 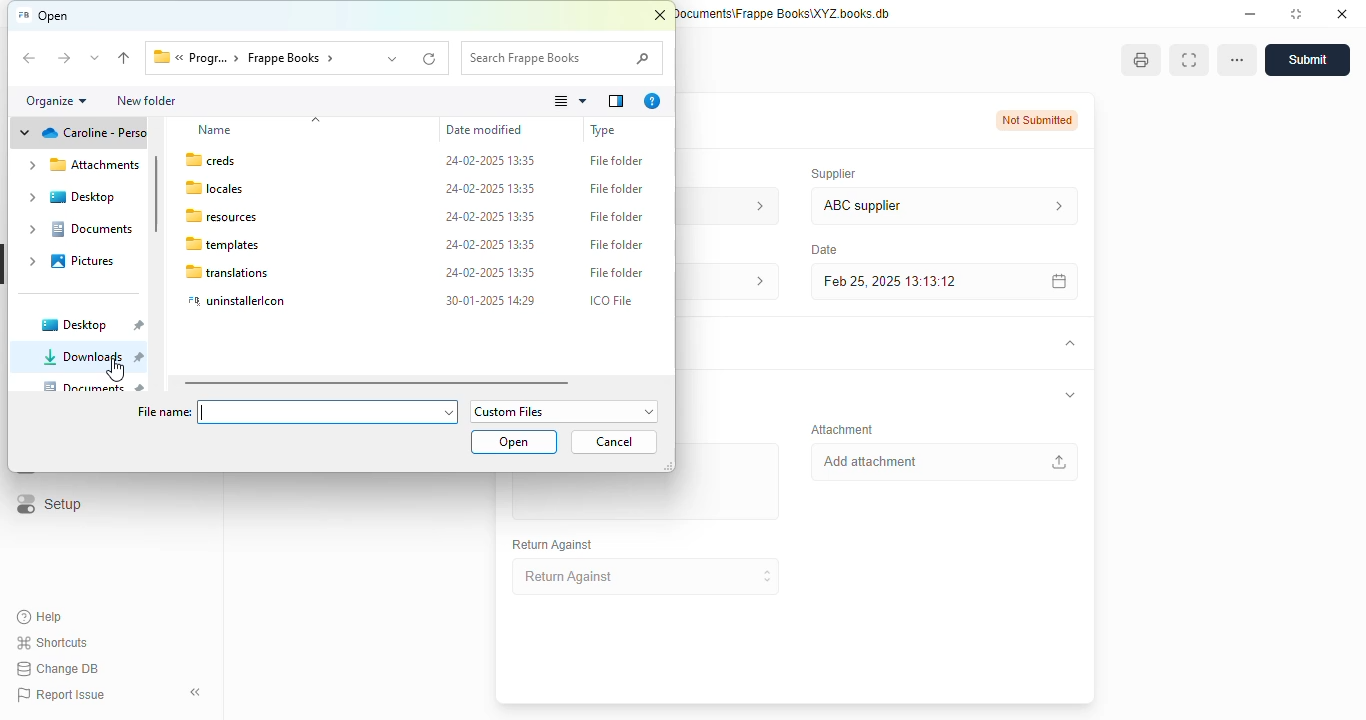 What do you see at coordinates (652, 101) in the screenshot?
I see `get help` at bounding box center [652, 101].